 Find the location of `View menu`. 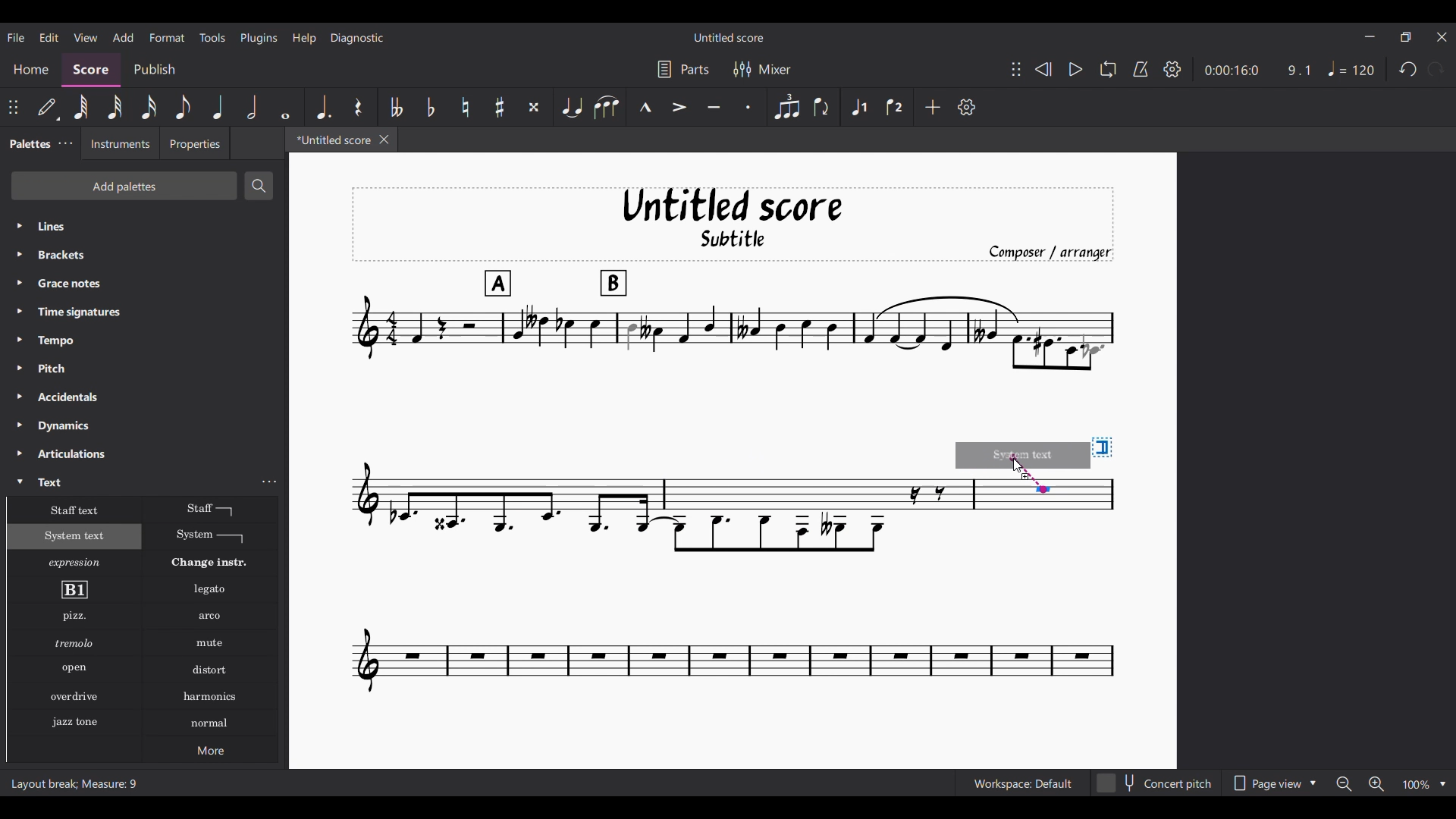

View menu is located at coordinates (86, 38).